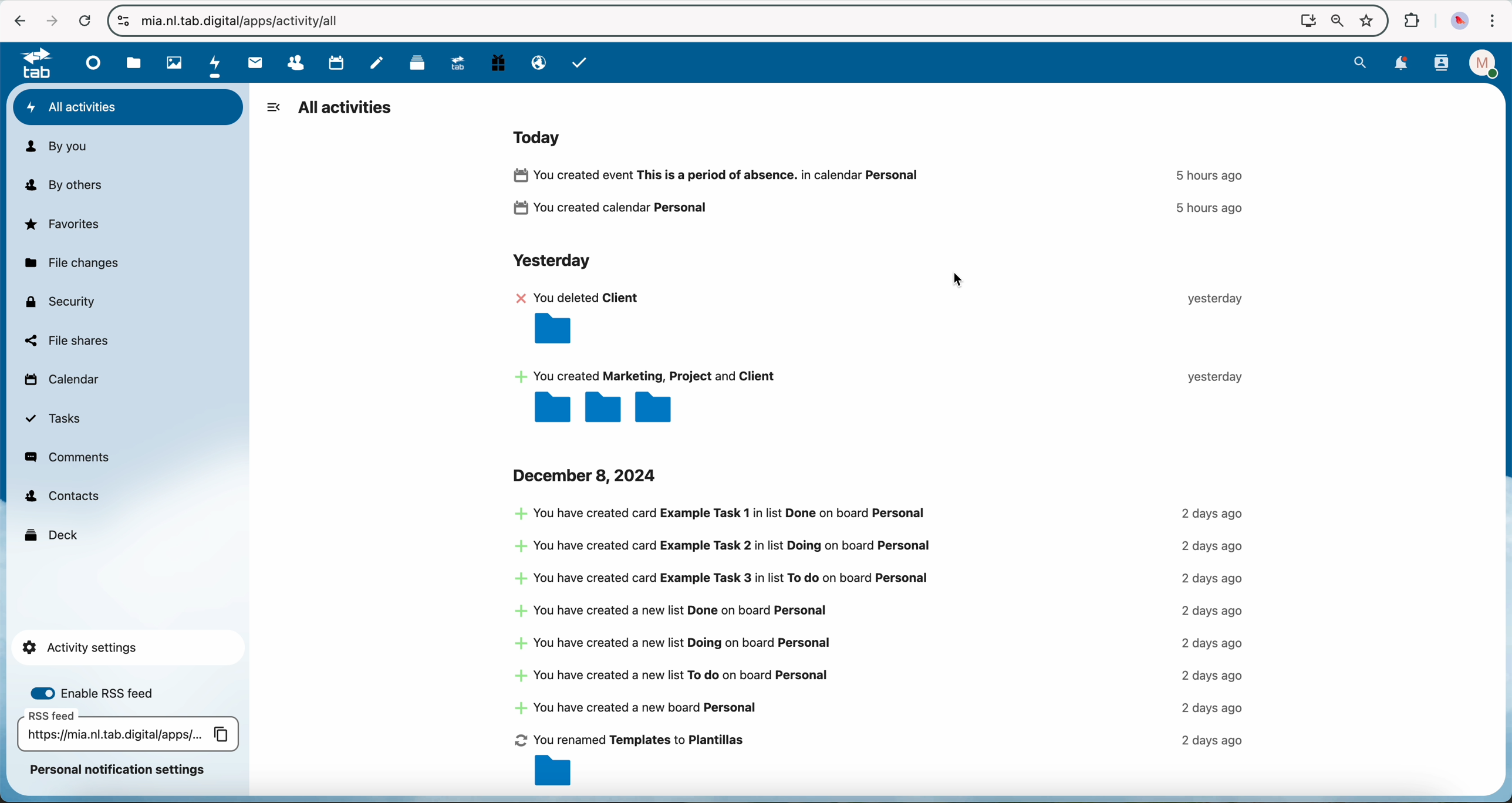 The width and height of the screenshot is (1512, 803). I want to click on upgrade, so click(455, 62).